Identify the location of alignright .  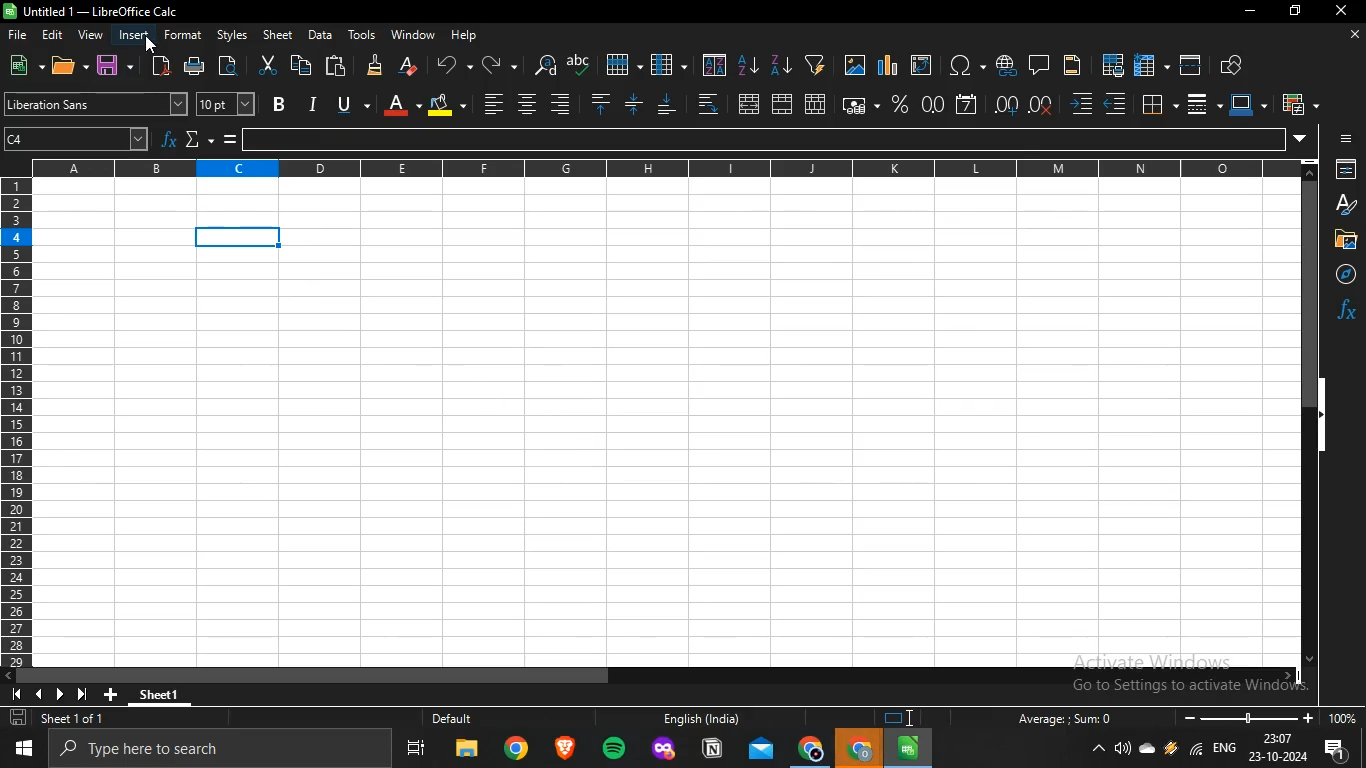
(493, 102).